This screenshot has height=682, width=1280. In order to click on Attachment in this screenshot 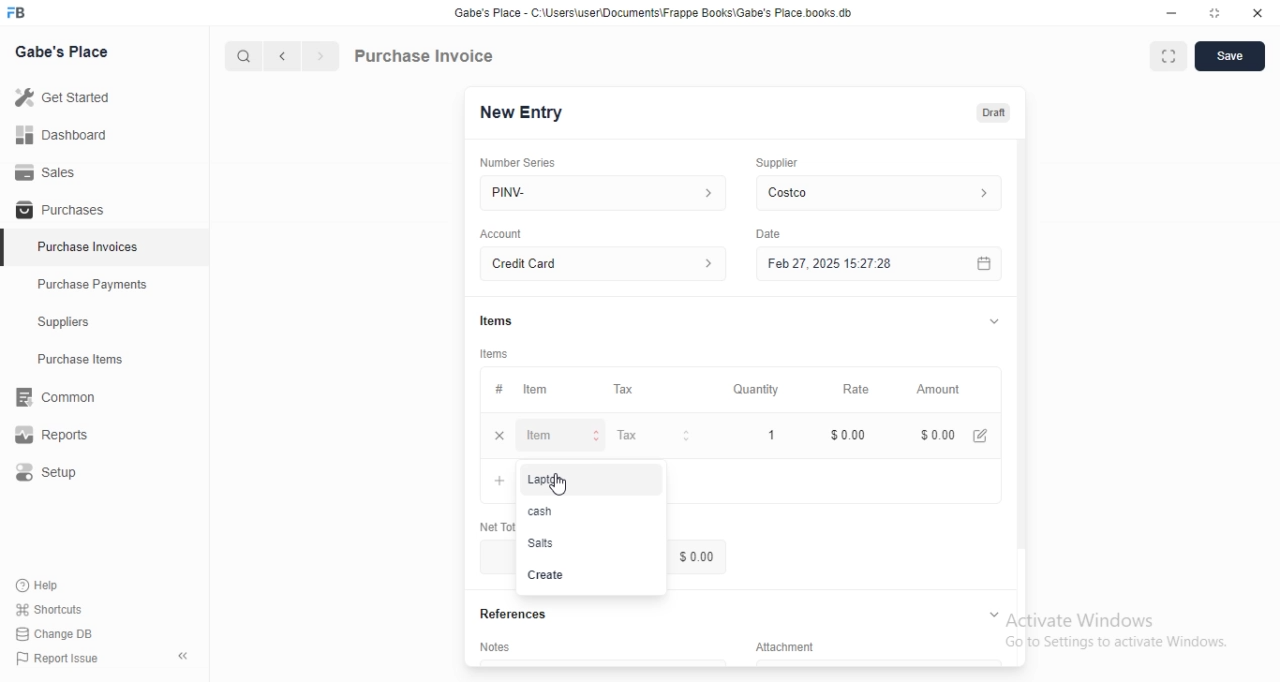, I will do `click(785, 646)`.